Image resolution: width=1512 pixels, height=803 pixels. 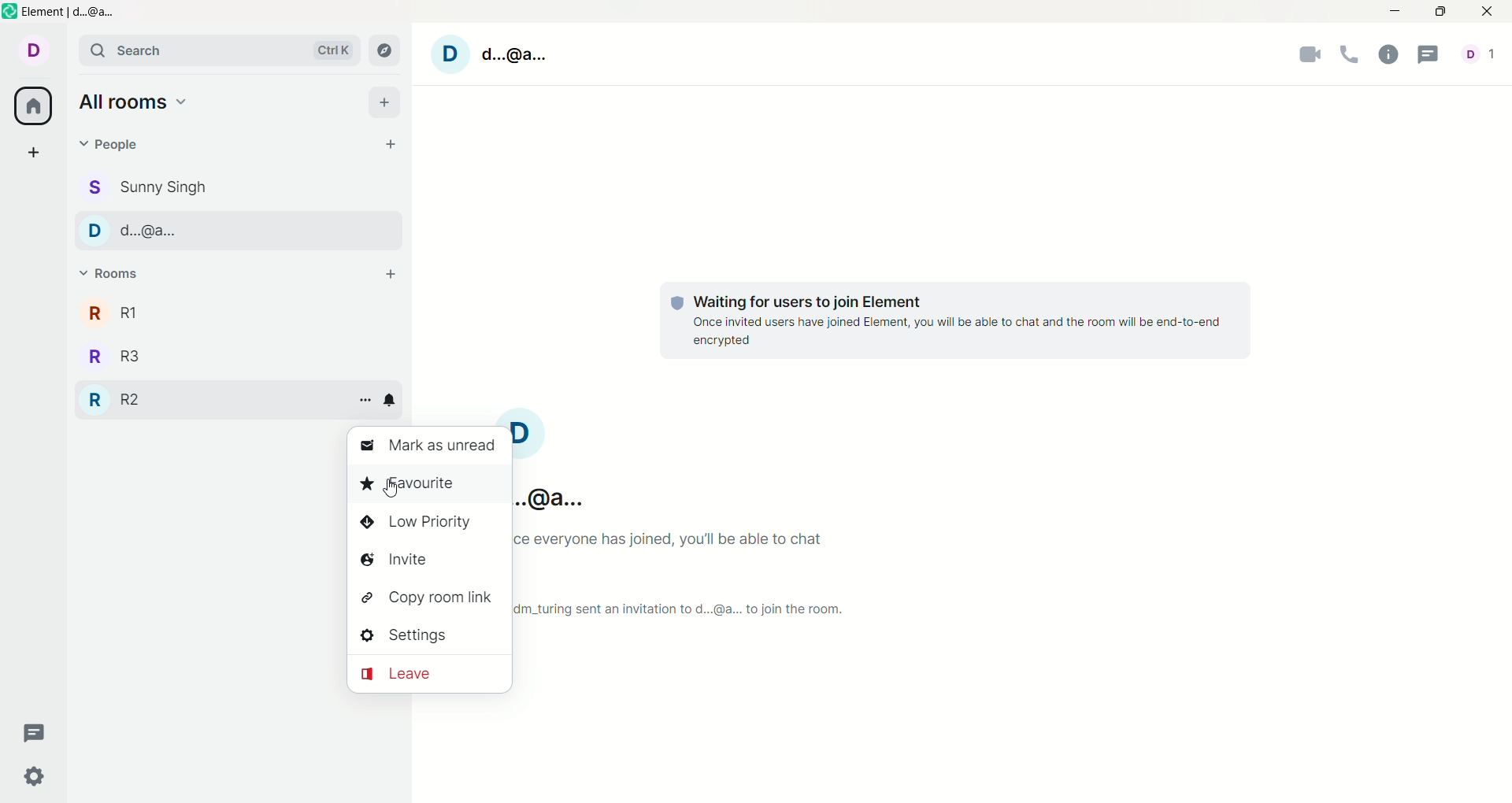 What do you see at coordinates (145, 187) in the screenshot?
I see `Sunny Singh chat` at bounding box center [145, 187].